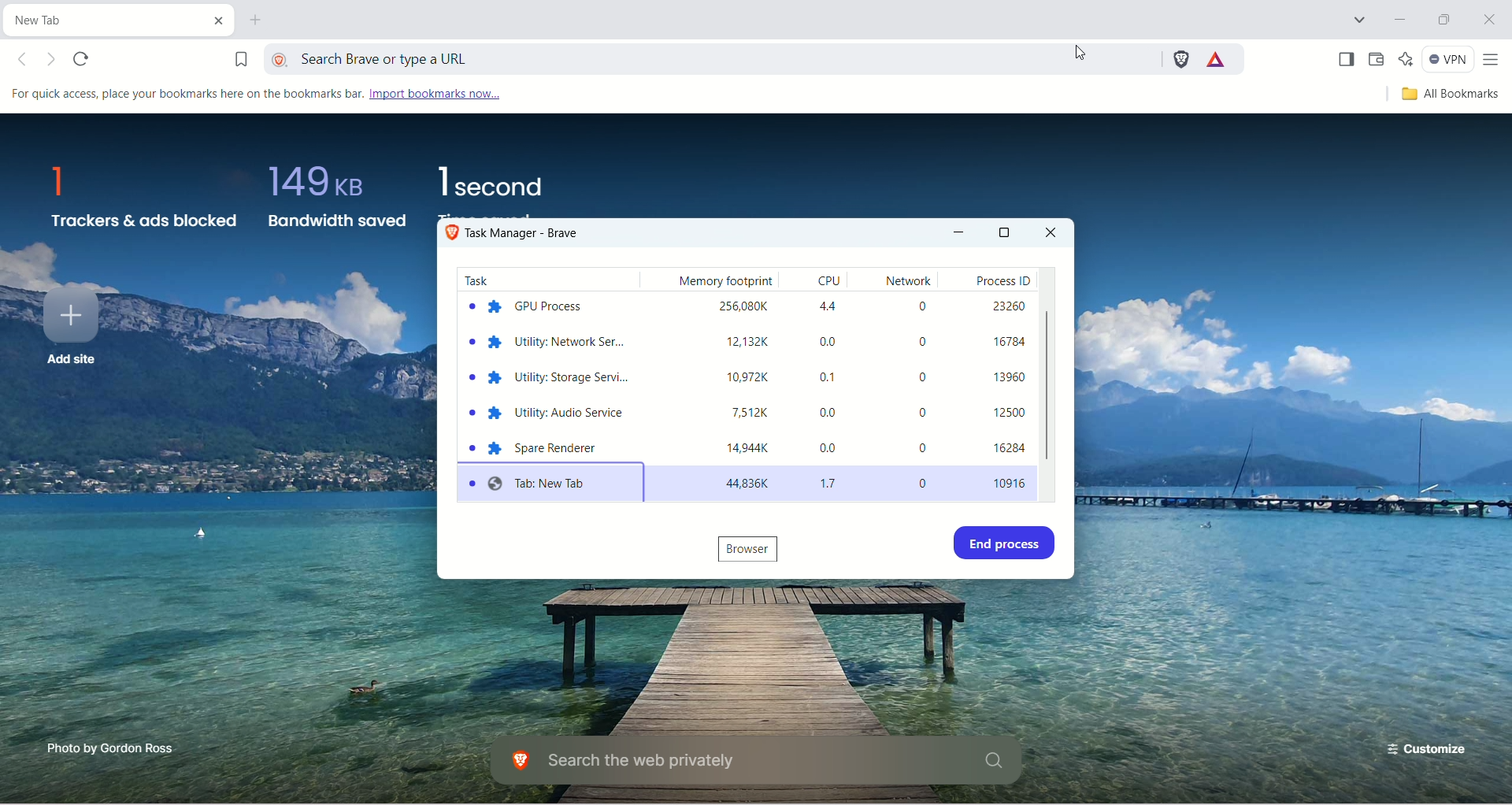 This screenshot has height=805, width=1512. I want to click on utility-audio service, so click(547, 415).